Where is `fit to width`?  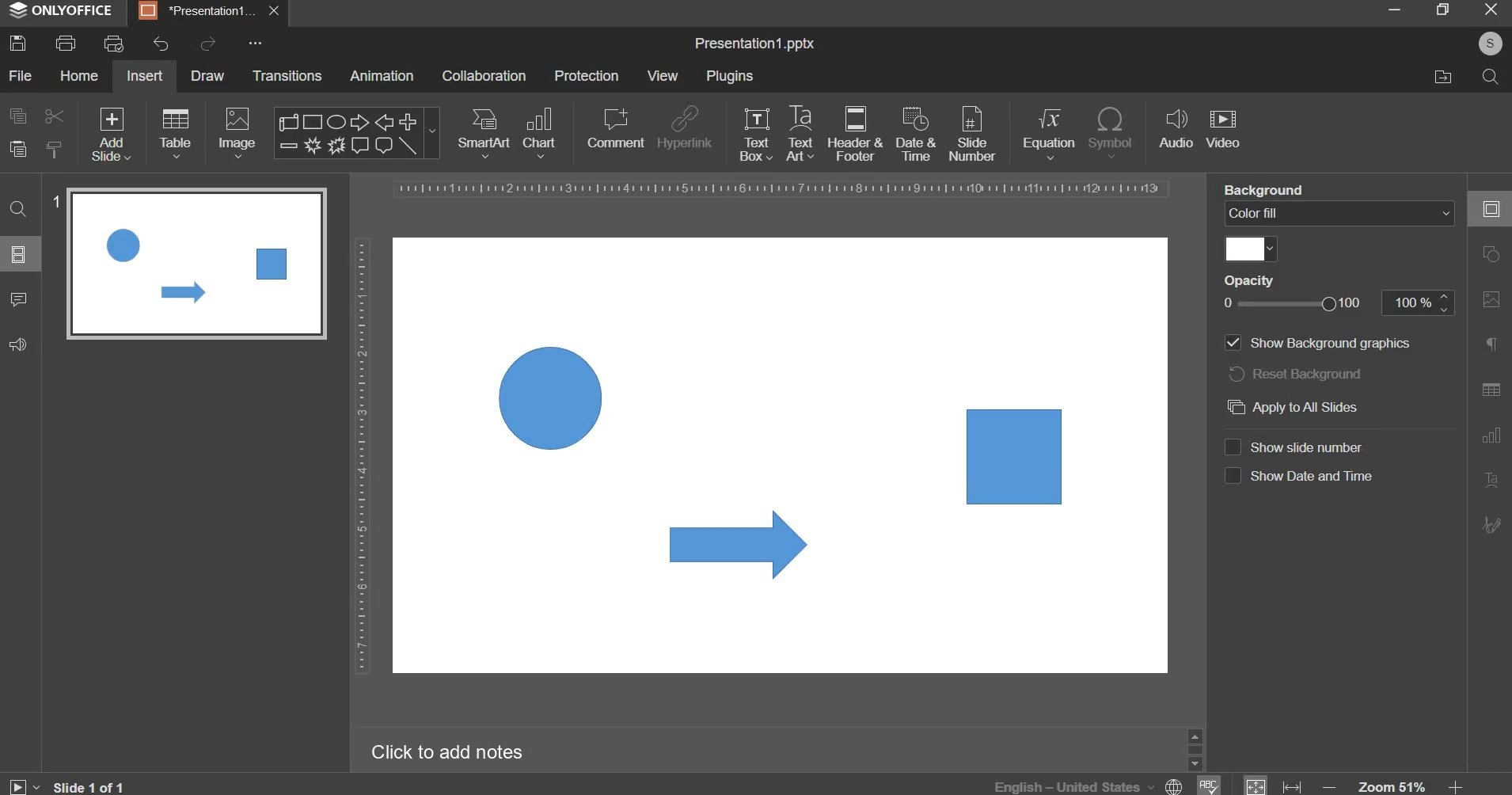
fit to width is located at coordinates (1294, 786).